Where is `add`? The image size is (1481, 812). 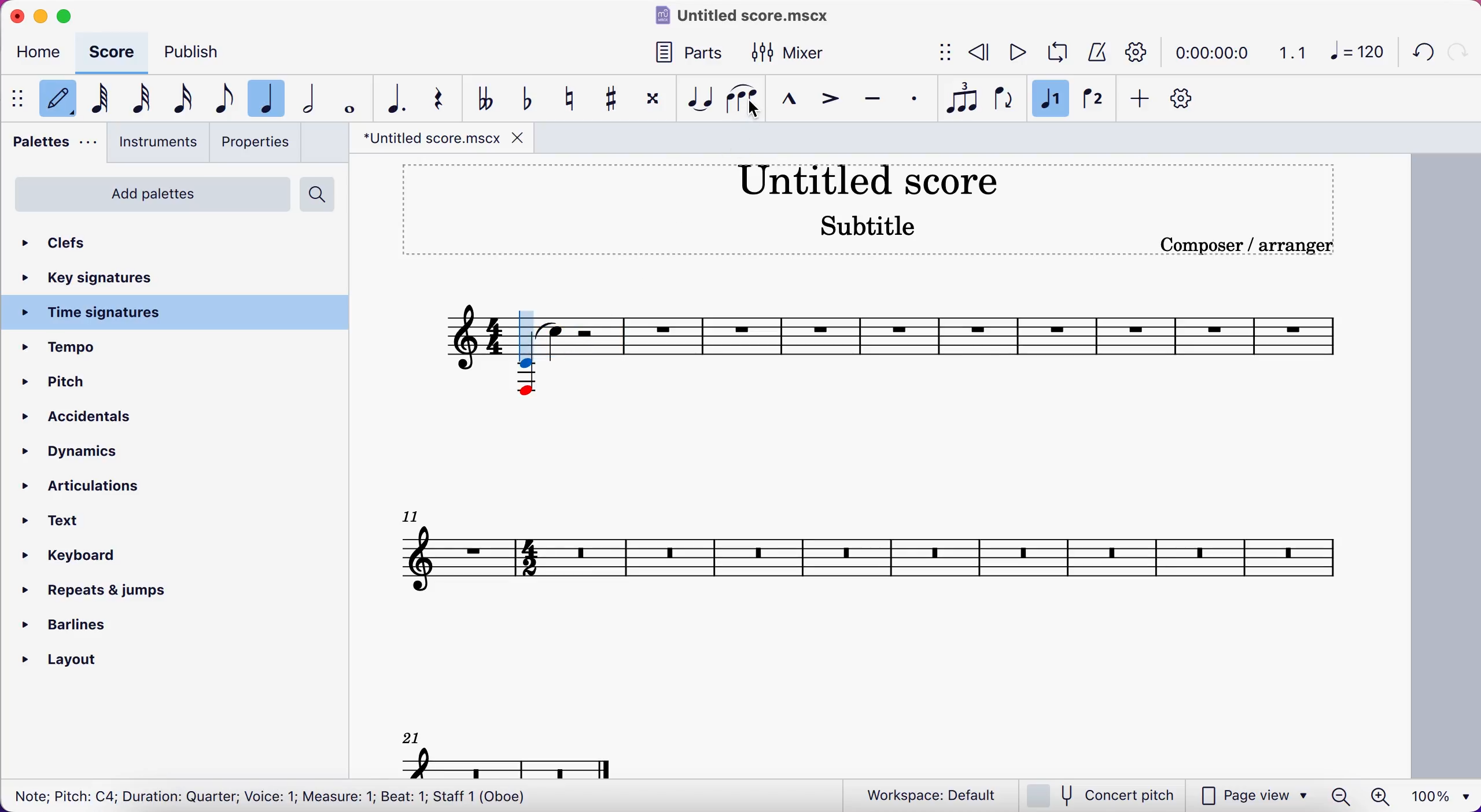 add is located at coordinates (1140, 103).